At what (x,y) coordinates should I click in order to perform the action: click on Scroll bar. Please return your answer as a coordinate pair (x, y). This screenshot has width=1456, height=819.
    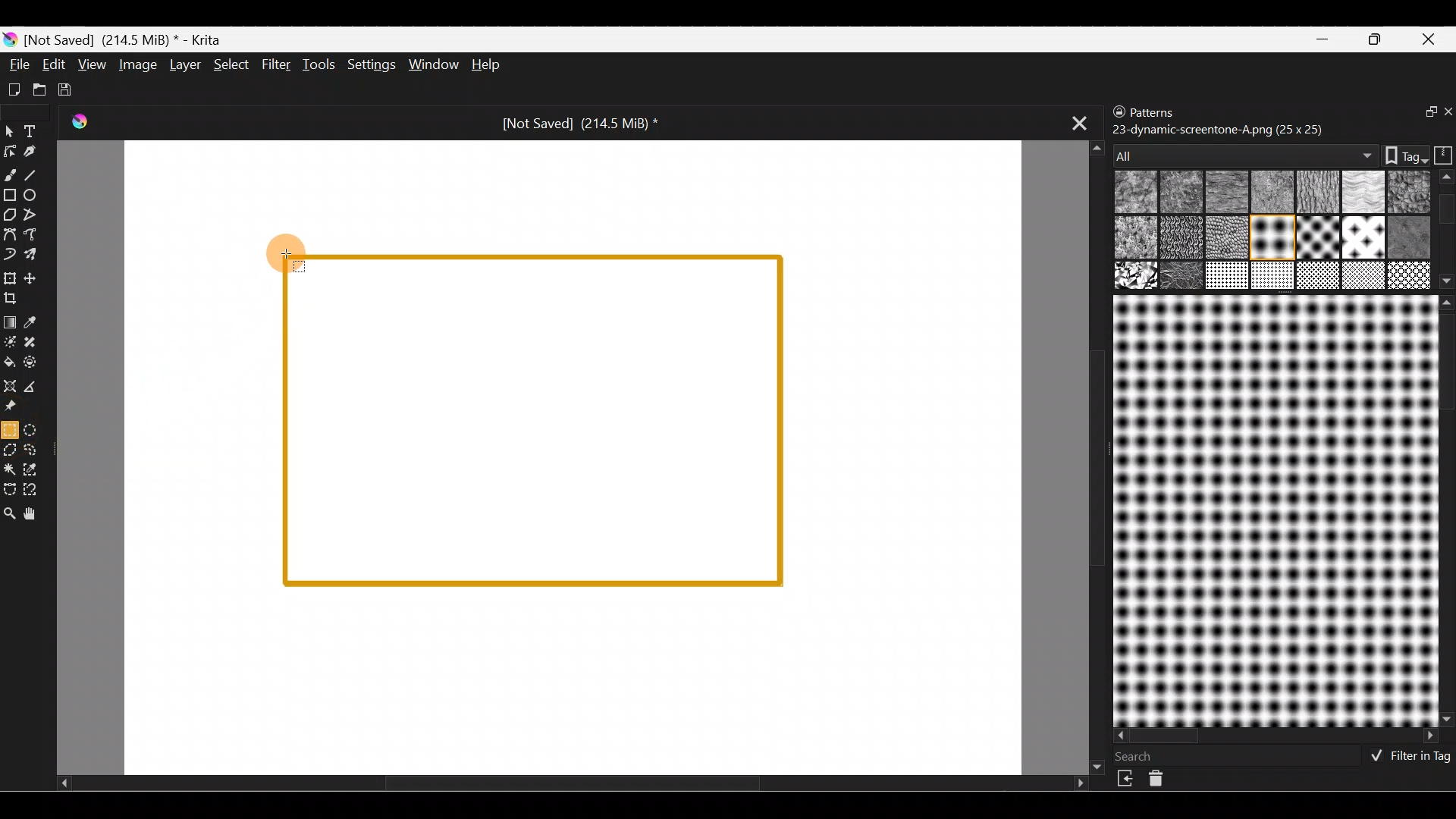
    Looking at the image, I should click on (1277, 736).